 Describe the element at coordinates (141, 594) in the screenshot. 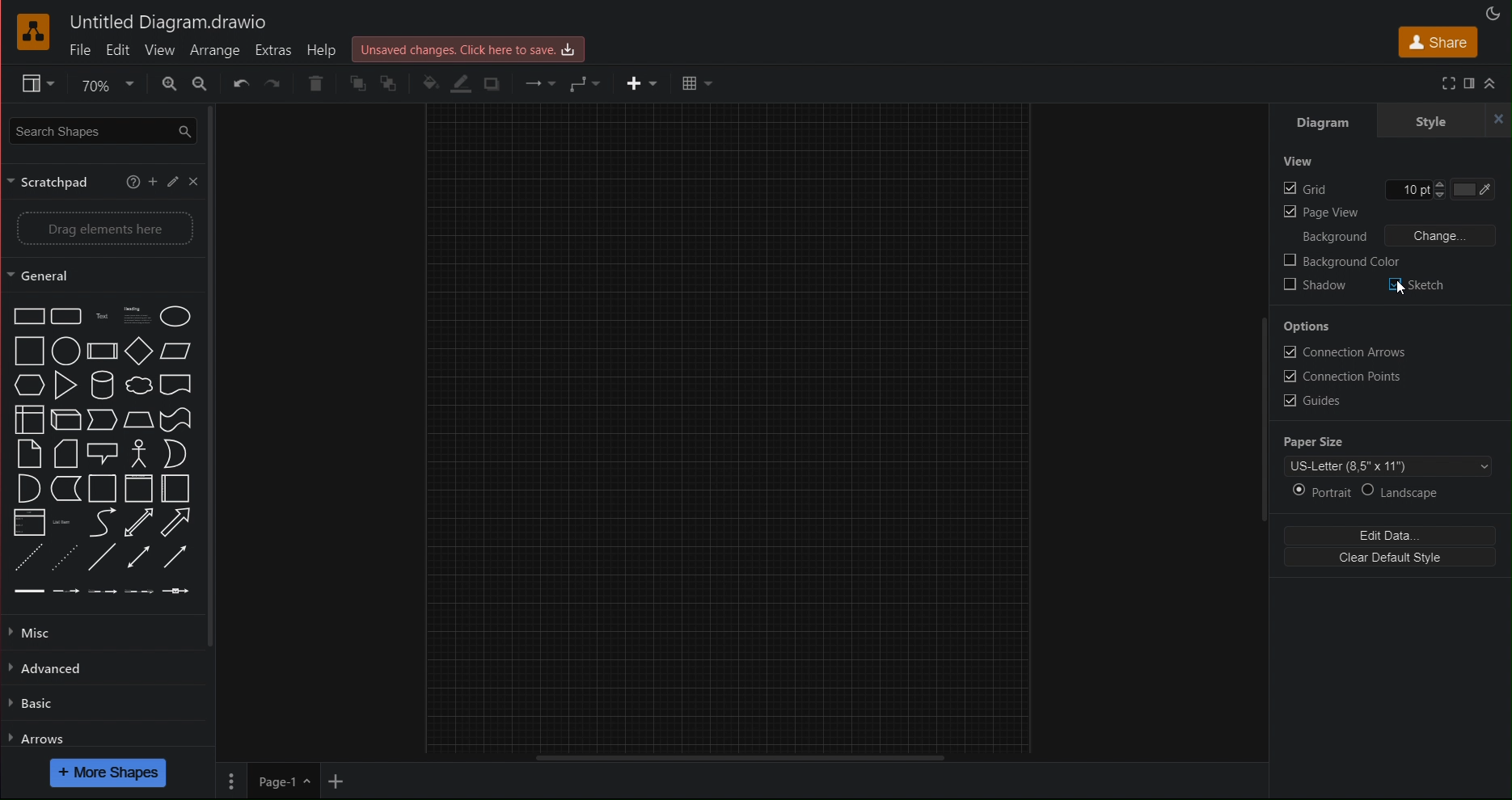

I see `connector with 3 label` at that location.